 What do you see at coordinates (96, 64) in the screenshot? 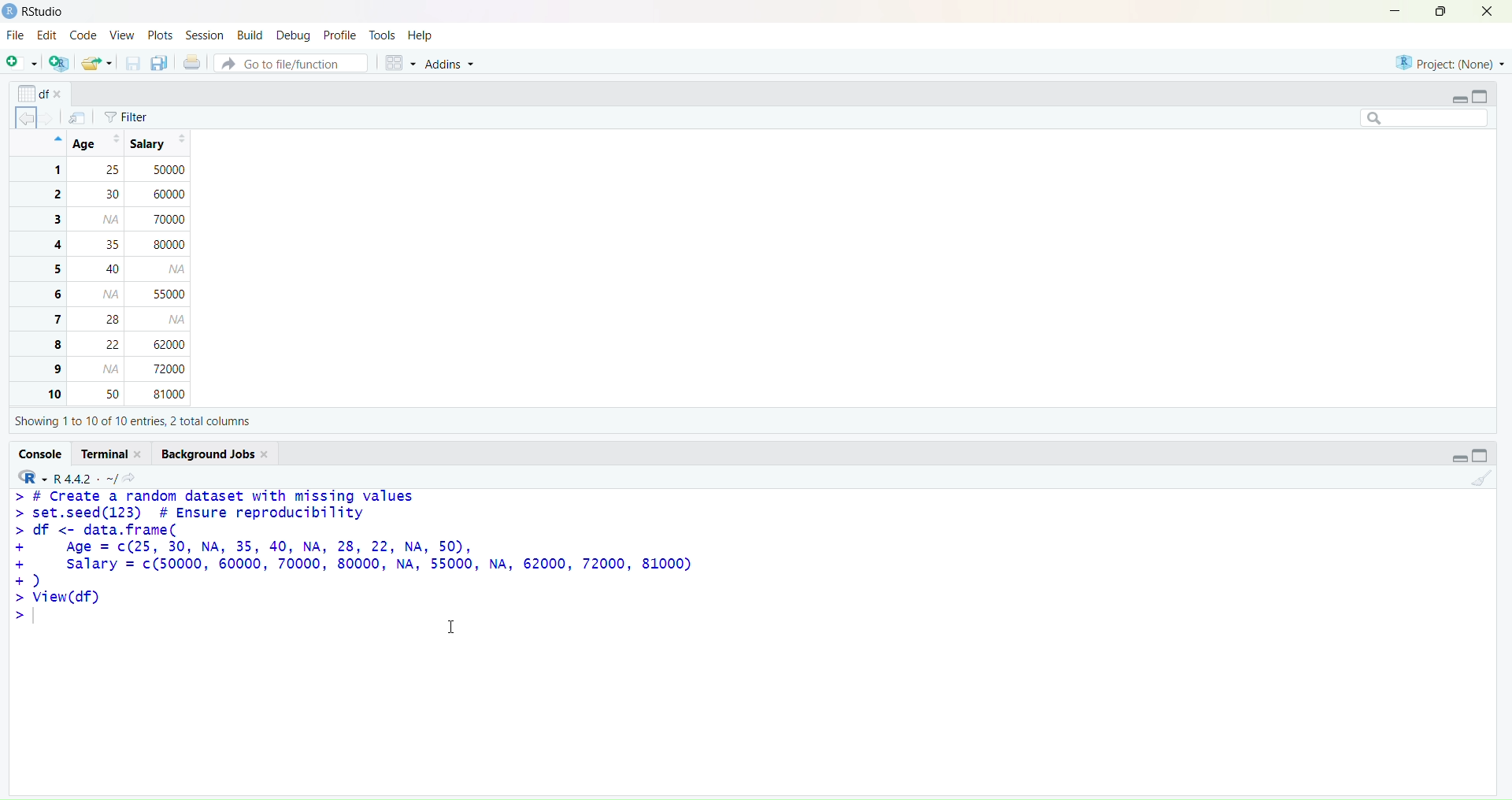
I see `open an existing file` at bounding box center [96, 64].